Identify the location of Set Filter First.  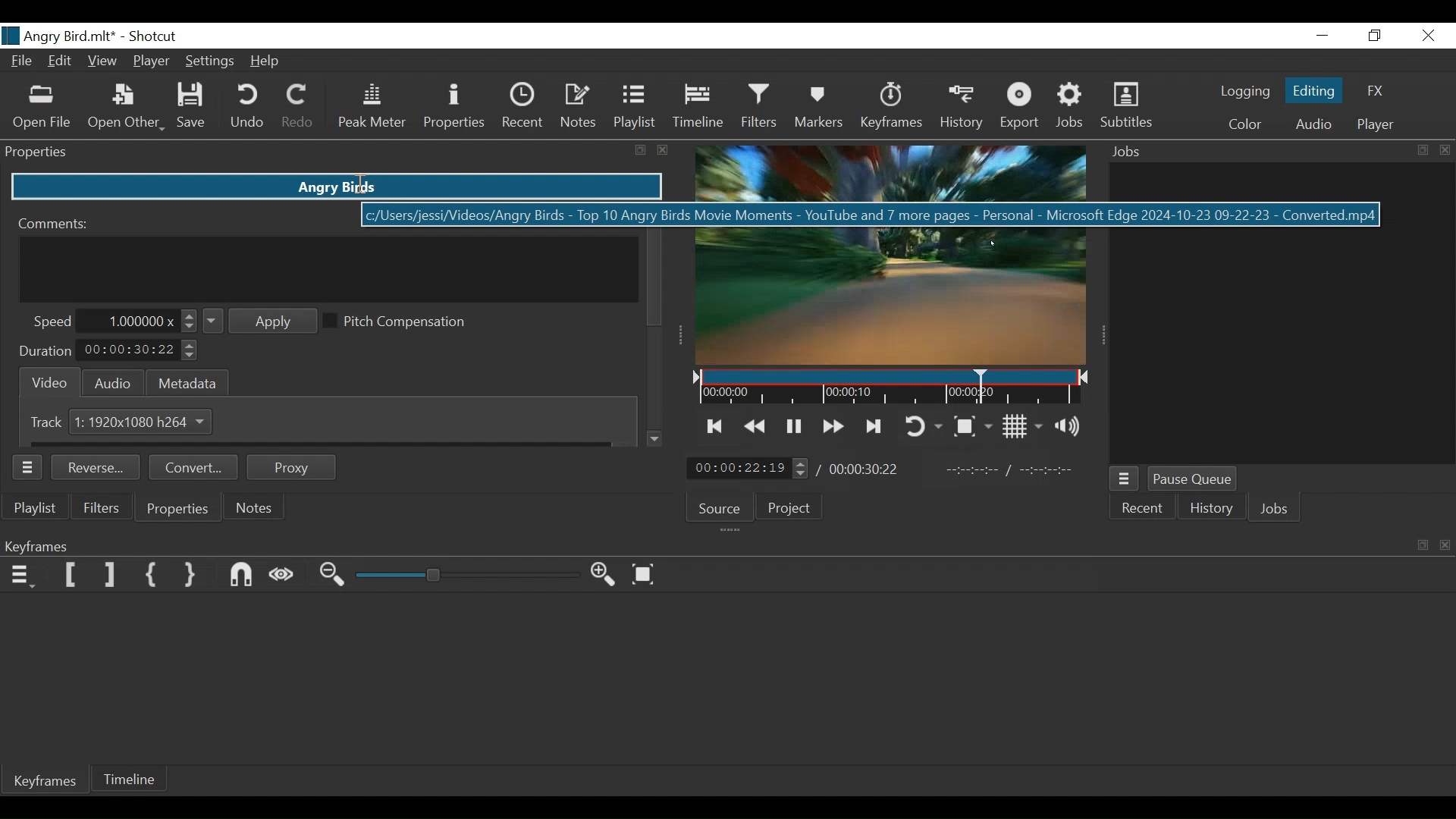
(70, 576).